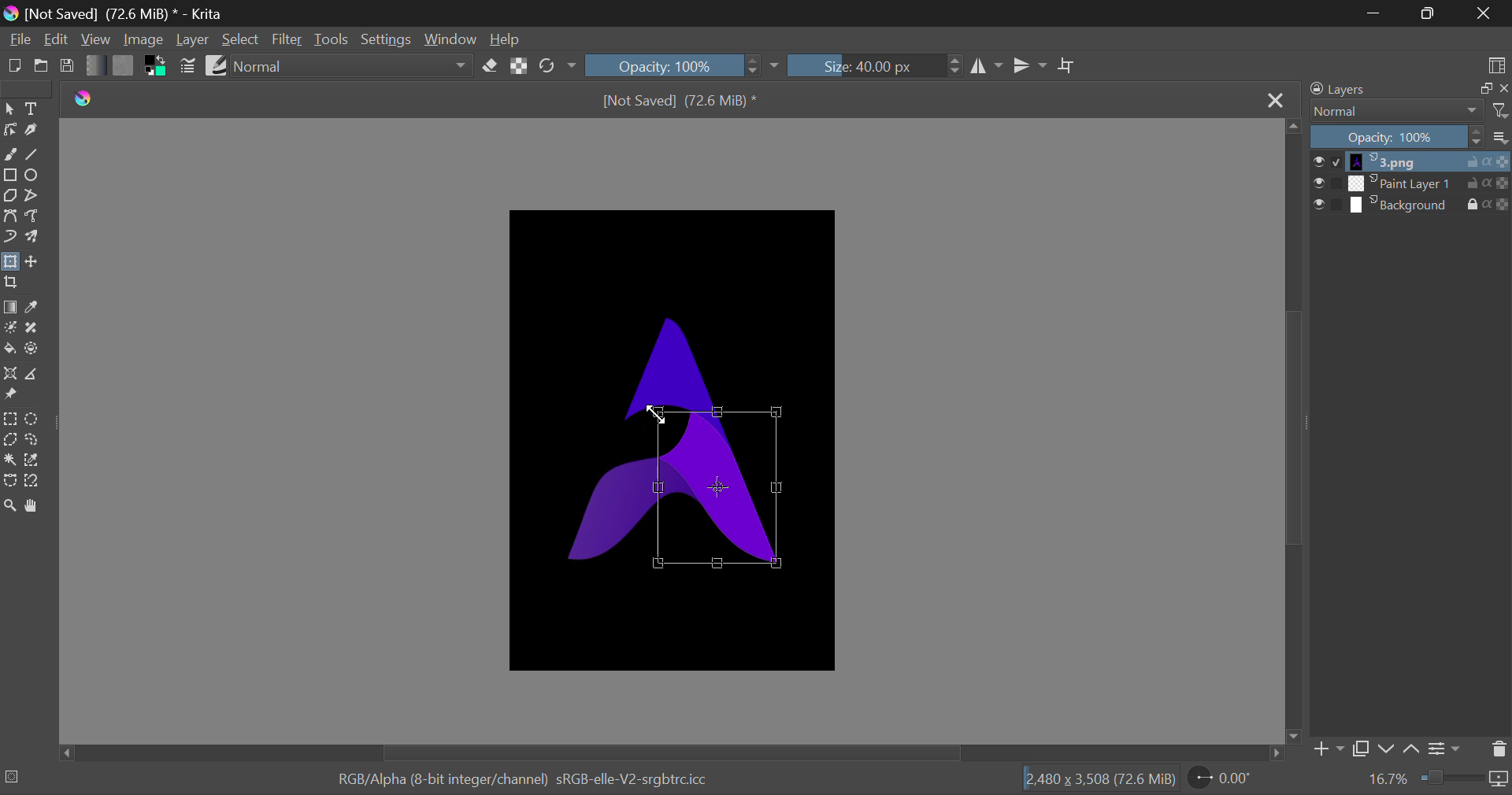  I want to click on Close, so click(1484, 13).